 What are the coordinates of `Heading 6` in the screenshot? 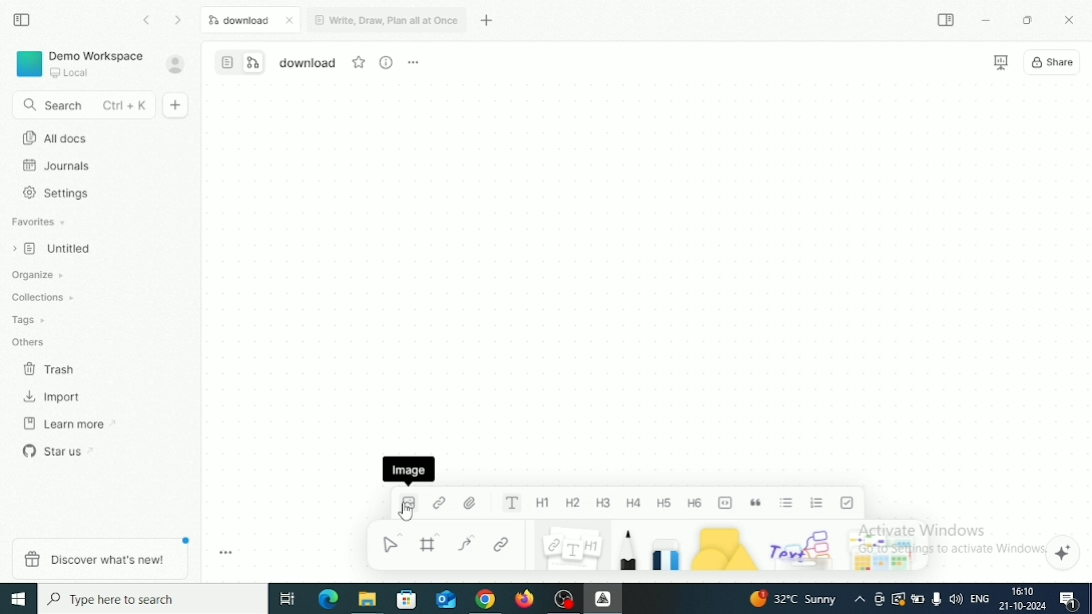 It's located at (696, 502).